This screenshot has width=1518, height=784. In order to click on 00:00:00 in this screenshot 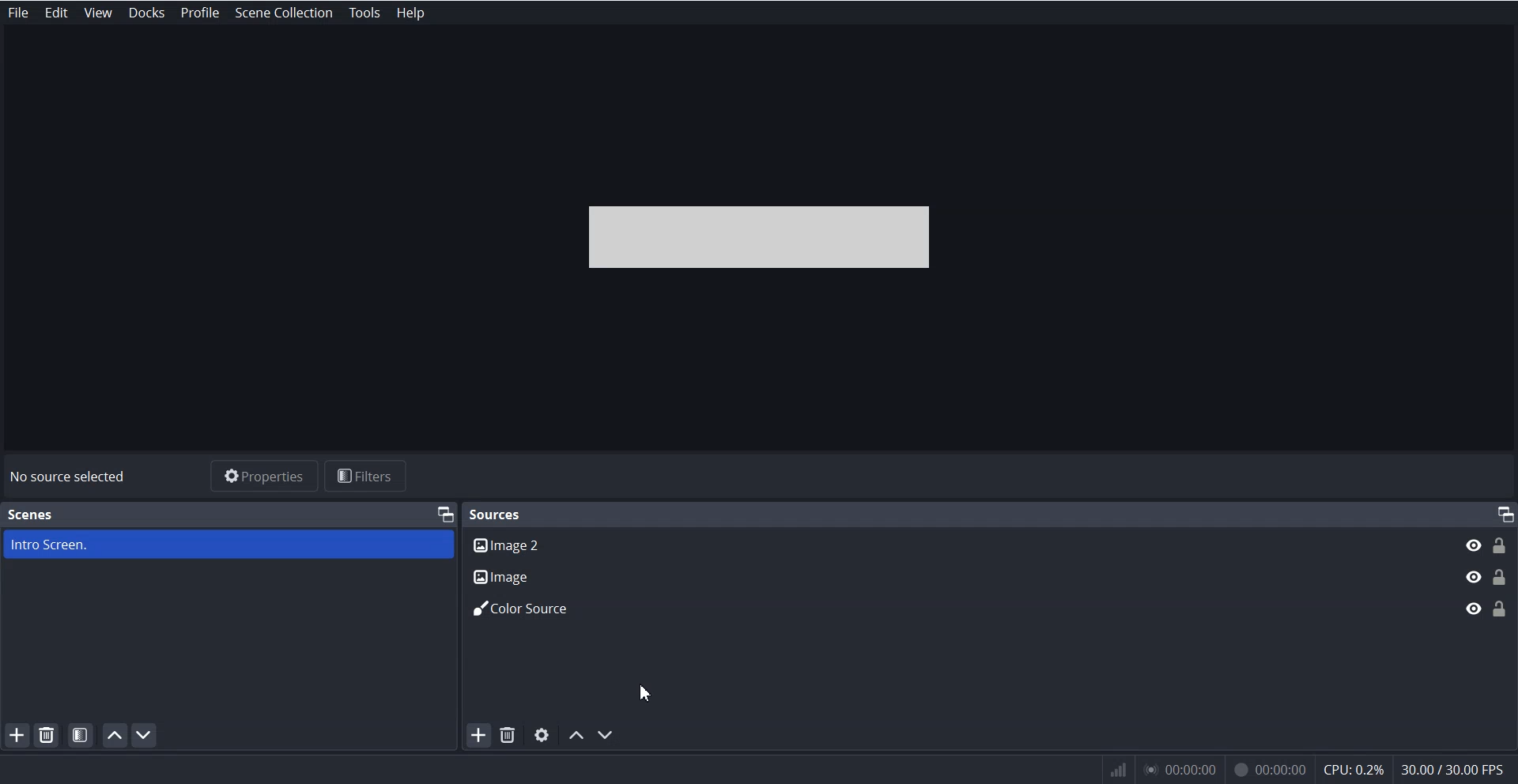, I will do `click(1270, 766)`.